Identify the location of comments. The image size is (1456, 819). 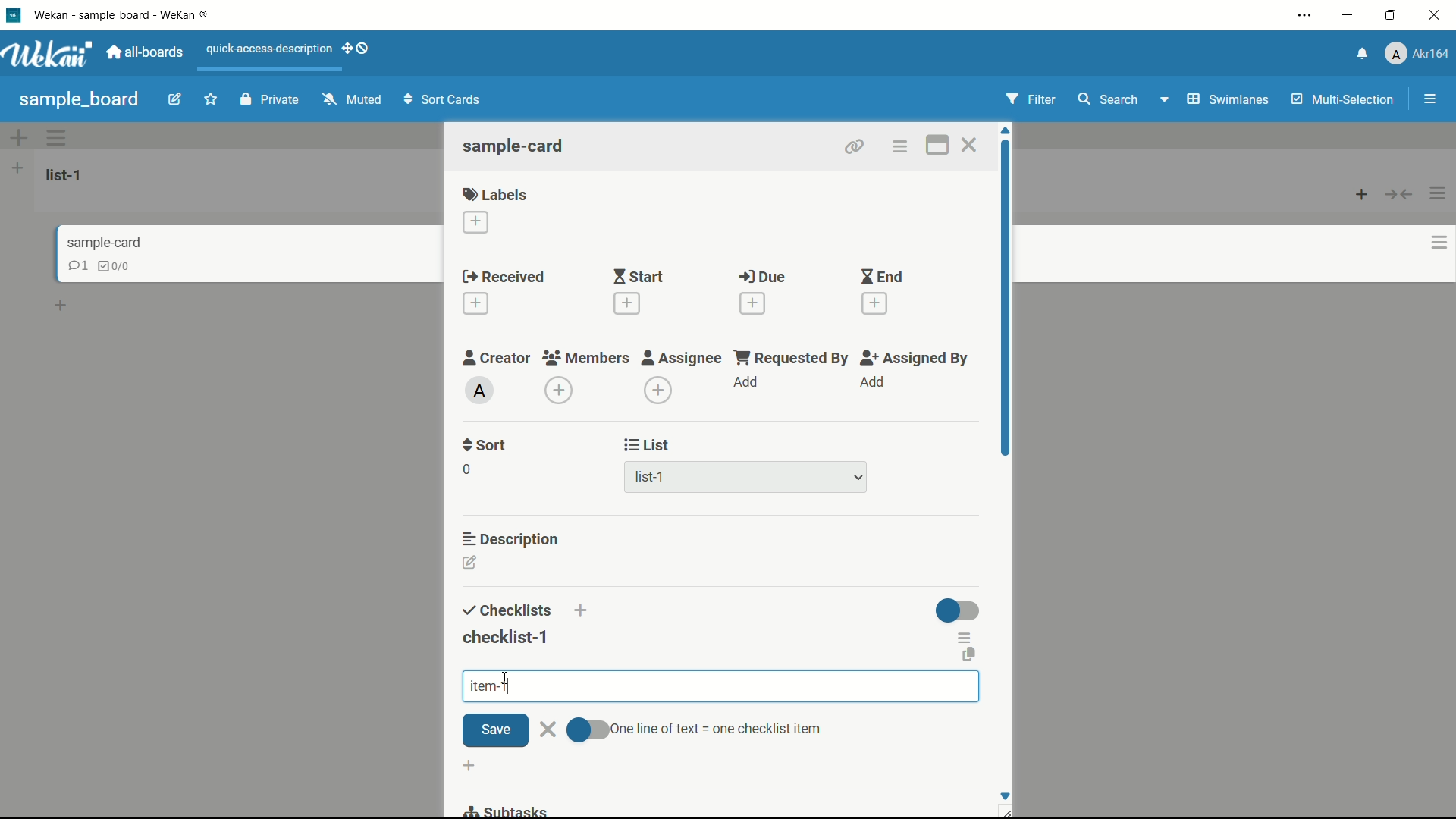
(77, 264).